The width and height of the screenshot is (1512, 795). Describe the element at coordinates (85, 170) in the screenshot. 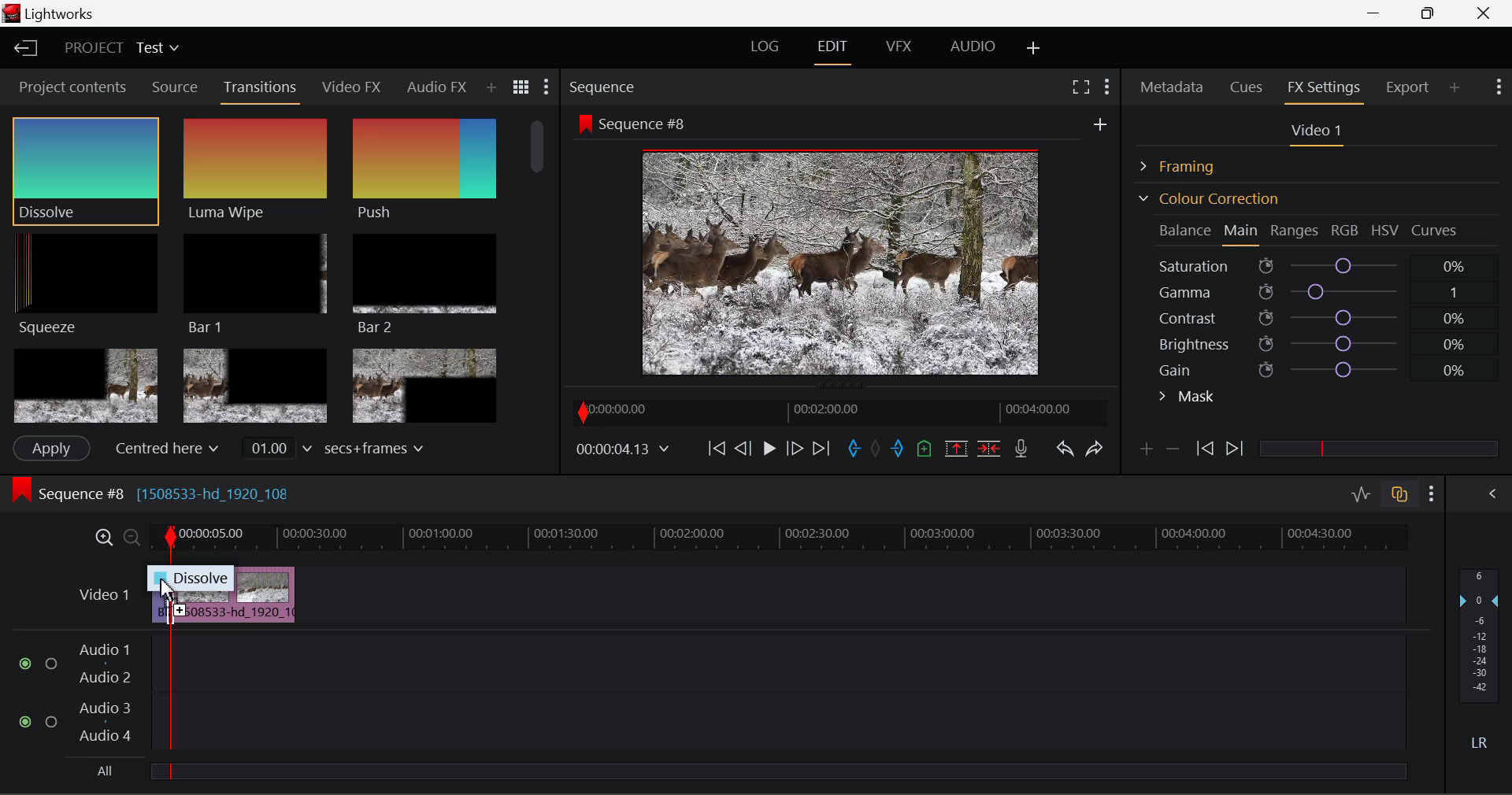

I see `Cursor MOUSE_DOWN on Dissolve` at that location.